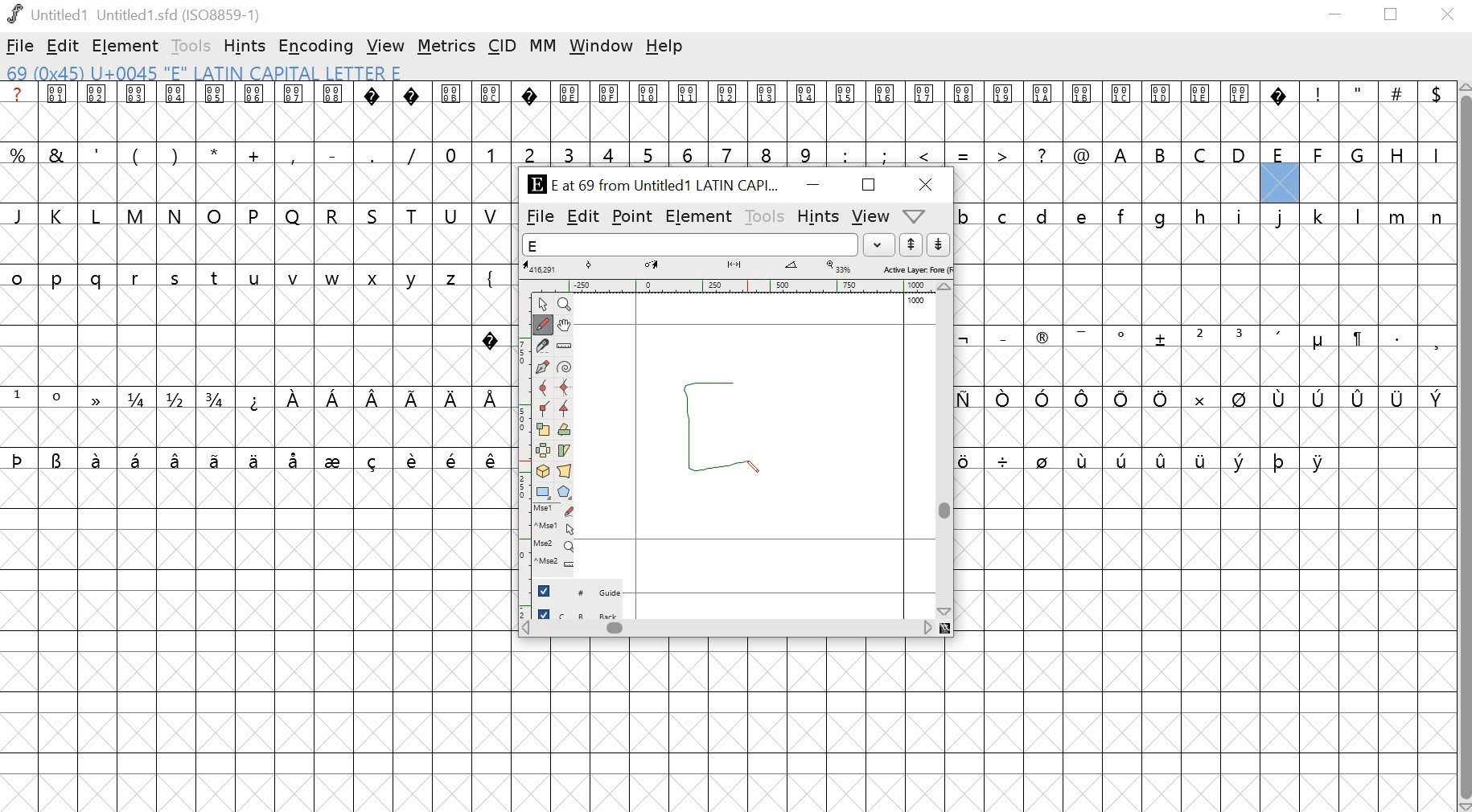  What do you see at coordinates (544, 346) in the screenshot?
I see `Knife` at bounding box center [544, 346].